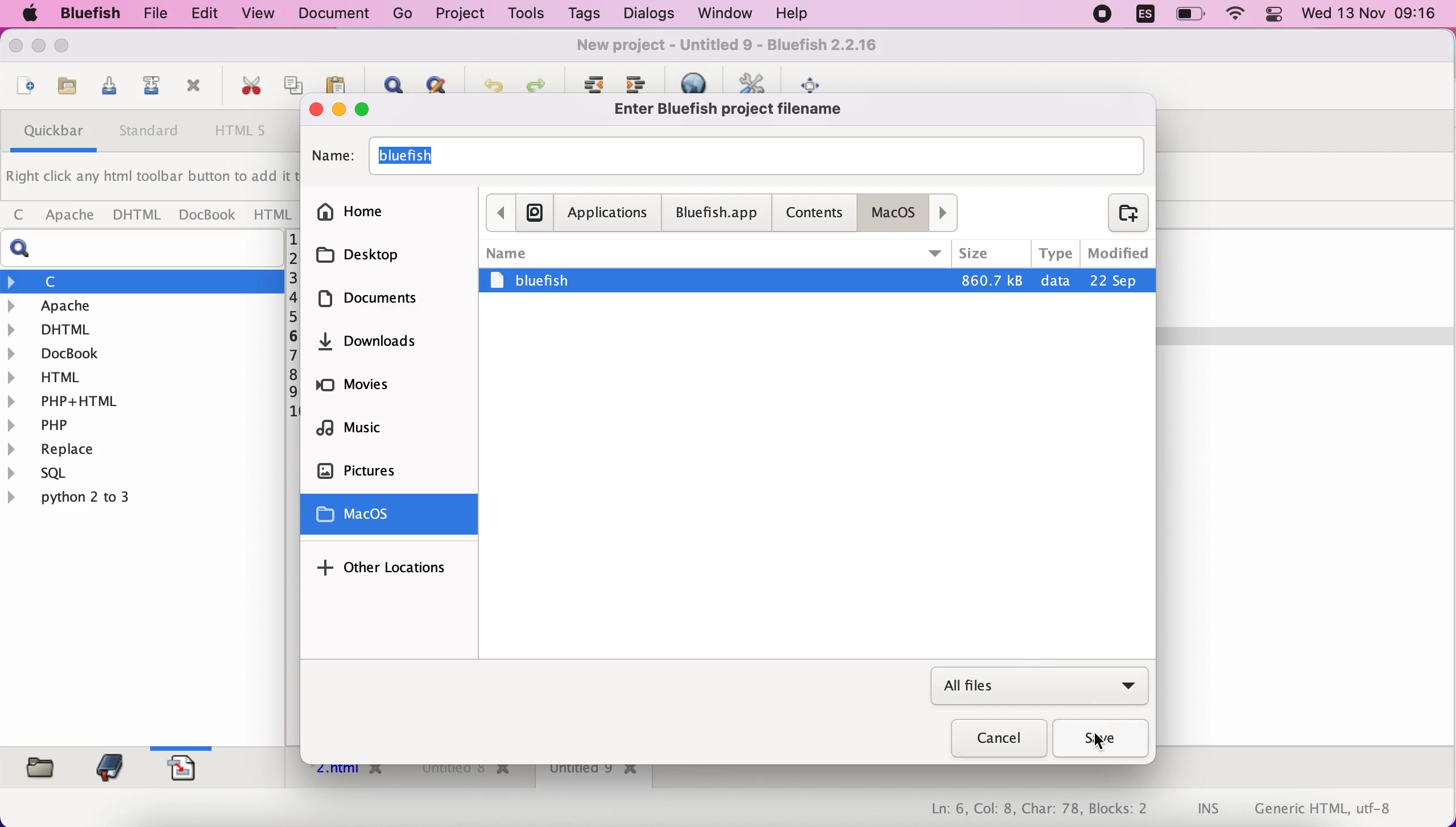  Describe the element at coordinates (143, 376) in the screenshot. I see `html` at that location.